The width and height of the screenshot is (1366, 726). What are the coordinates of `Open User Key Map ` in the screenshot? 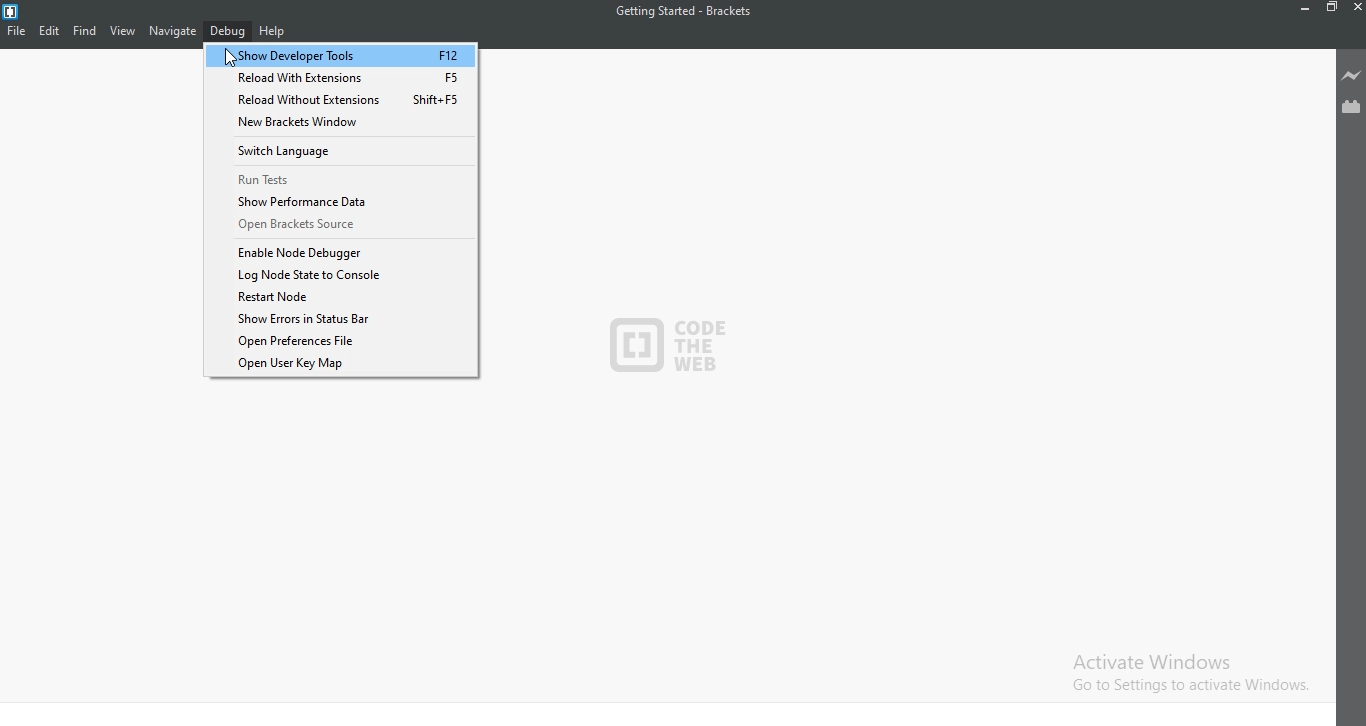 It's located at (337, 365).